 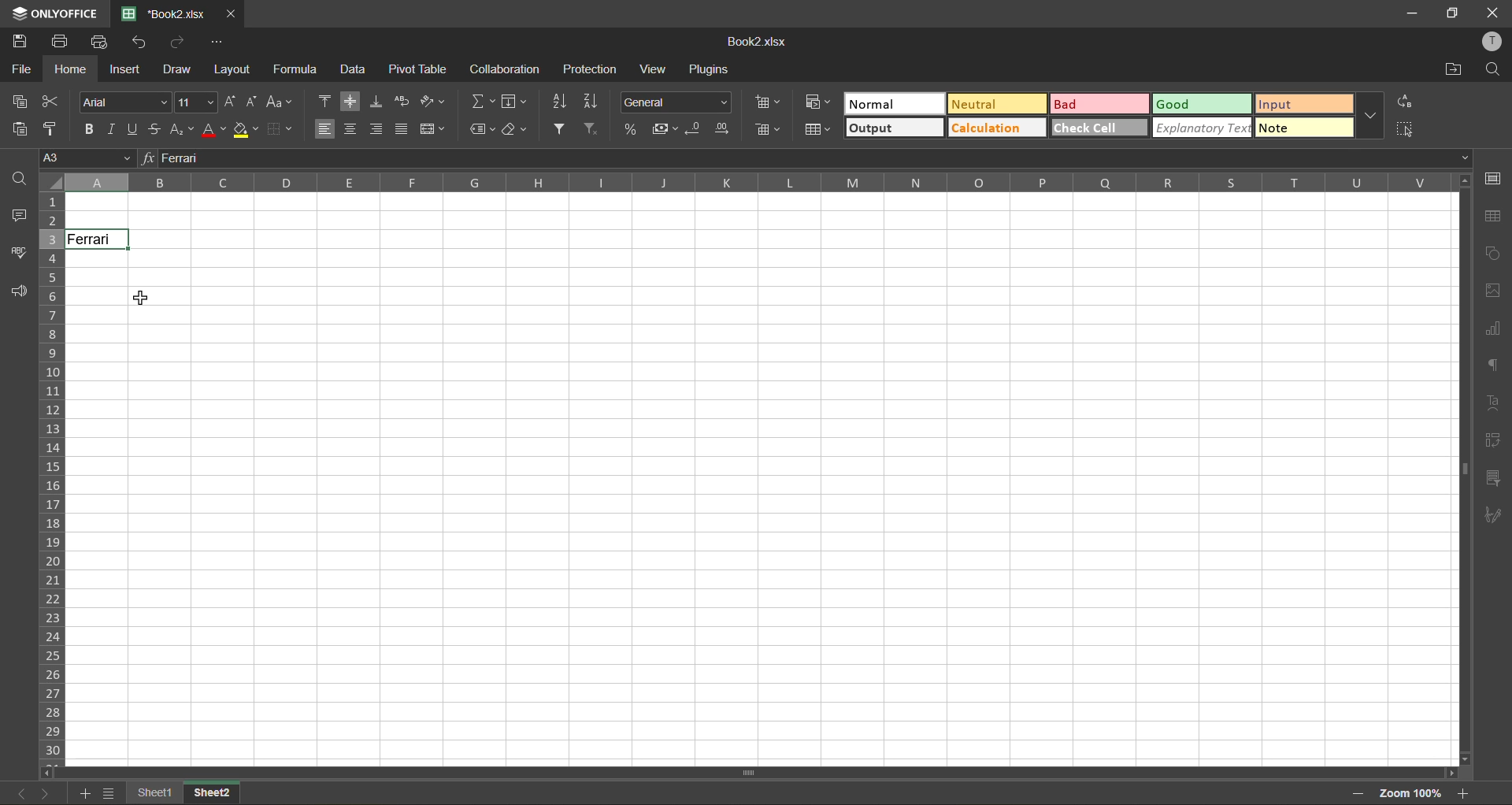 I want to click on output, so click(x=895, y=128).